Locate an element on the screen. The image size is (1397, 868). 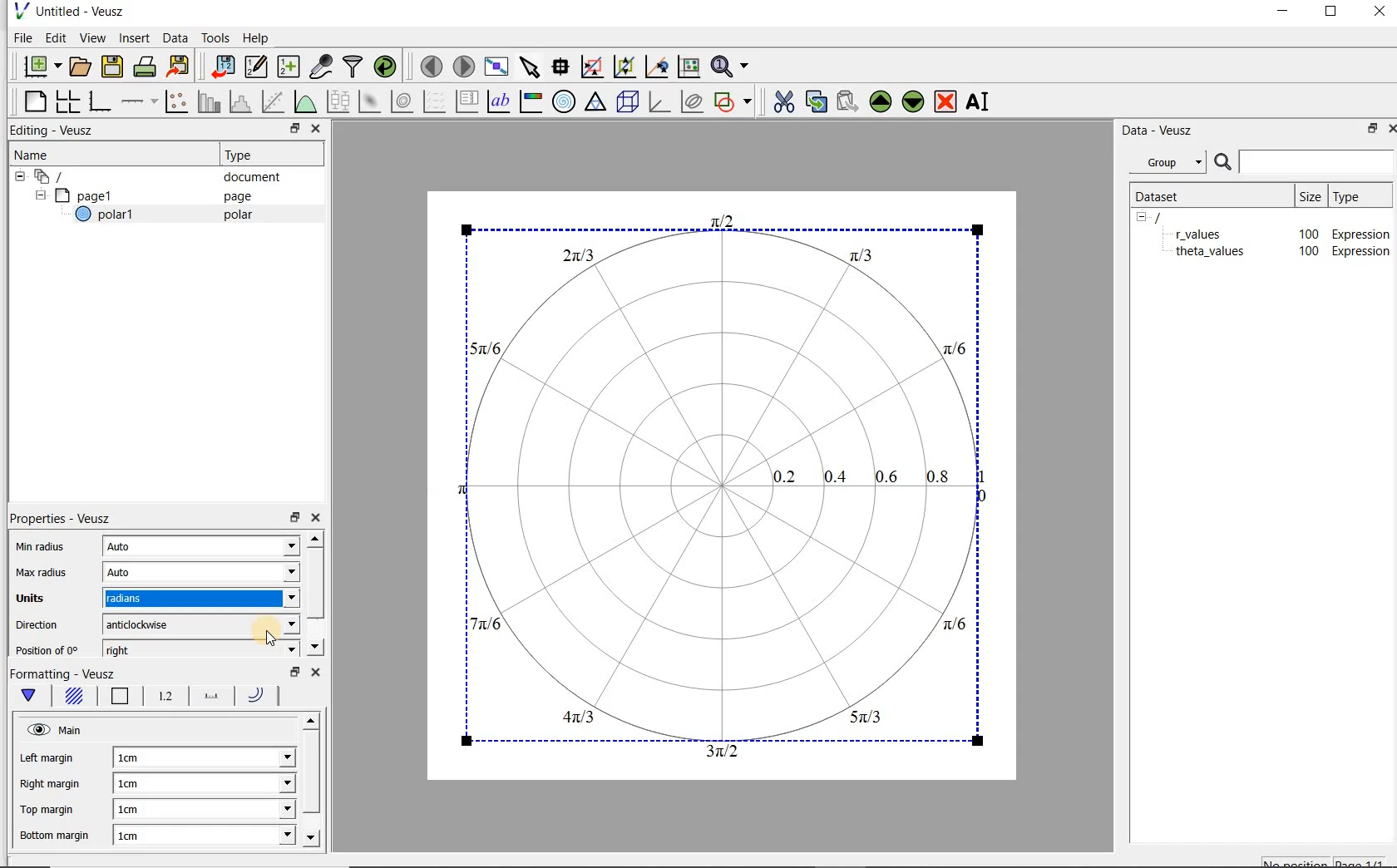
Data - Veusz is located at coordinates (1163, 130).